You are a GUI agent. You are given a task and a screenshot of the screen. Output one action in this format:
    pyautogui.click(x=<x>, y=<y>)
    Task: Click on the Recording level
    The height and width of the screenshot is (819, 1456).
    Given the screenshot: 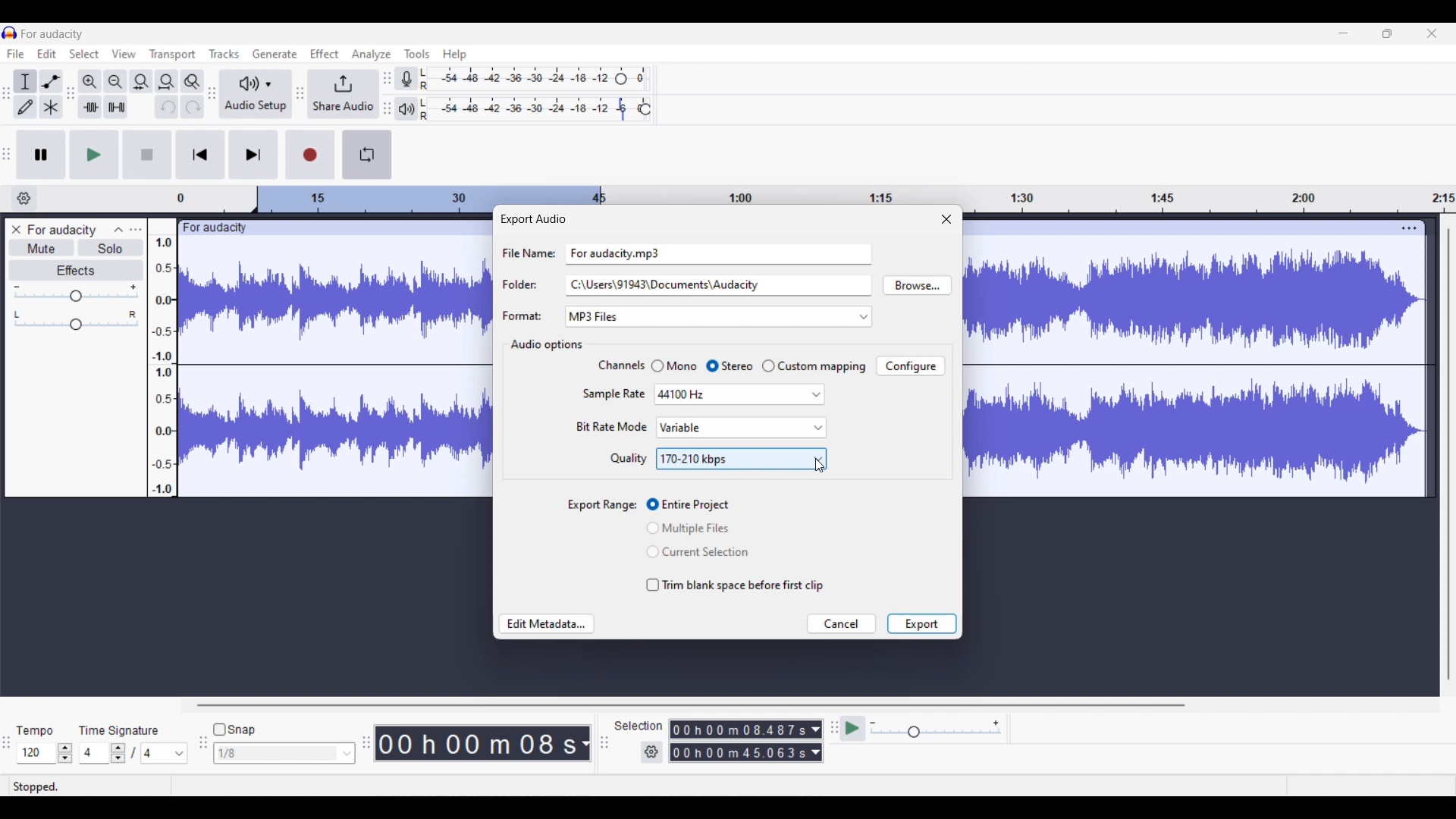 What is the action you would take?
    pyautogui.click(x=516, y=79)
    